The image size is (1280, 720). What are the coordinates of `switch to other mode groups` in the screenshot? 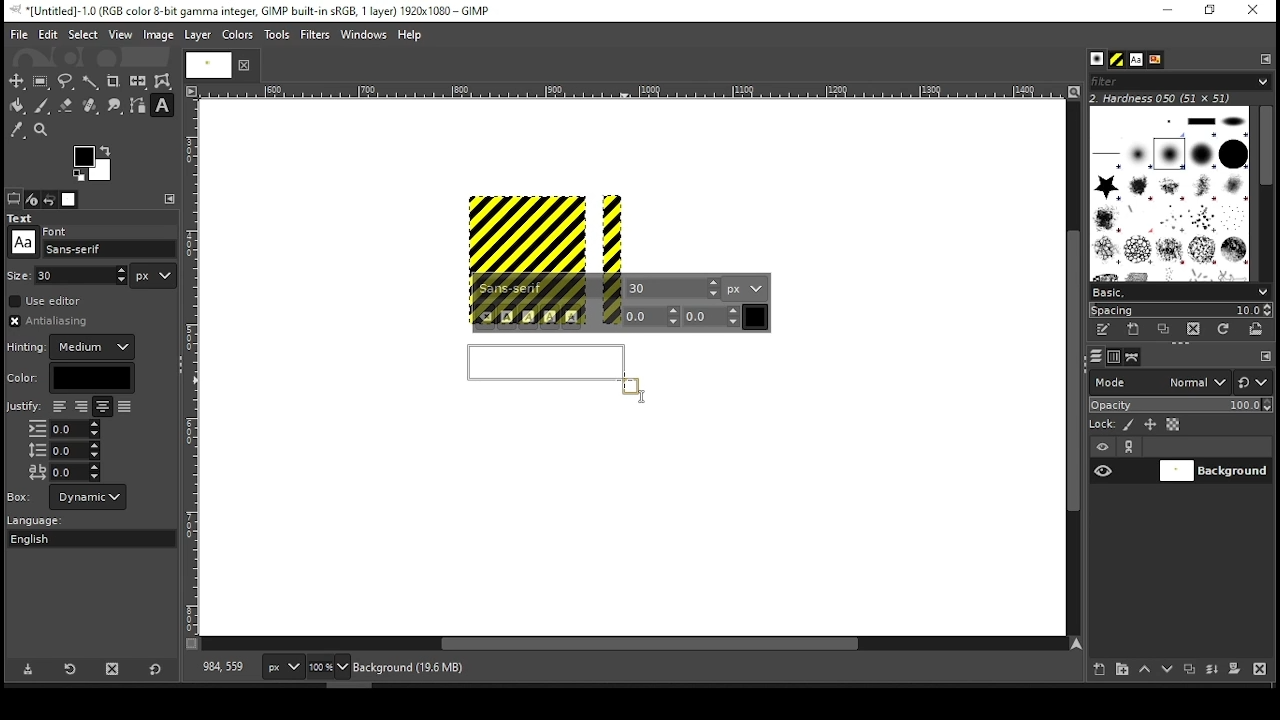 It's located at (1252, 384).